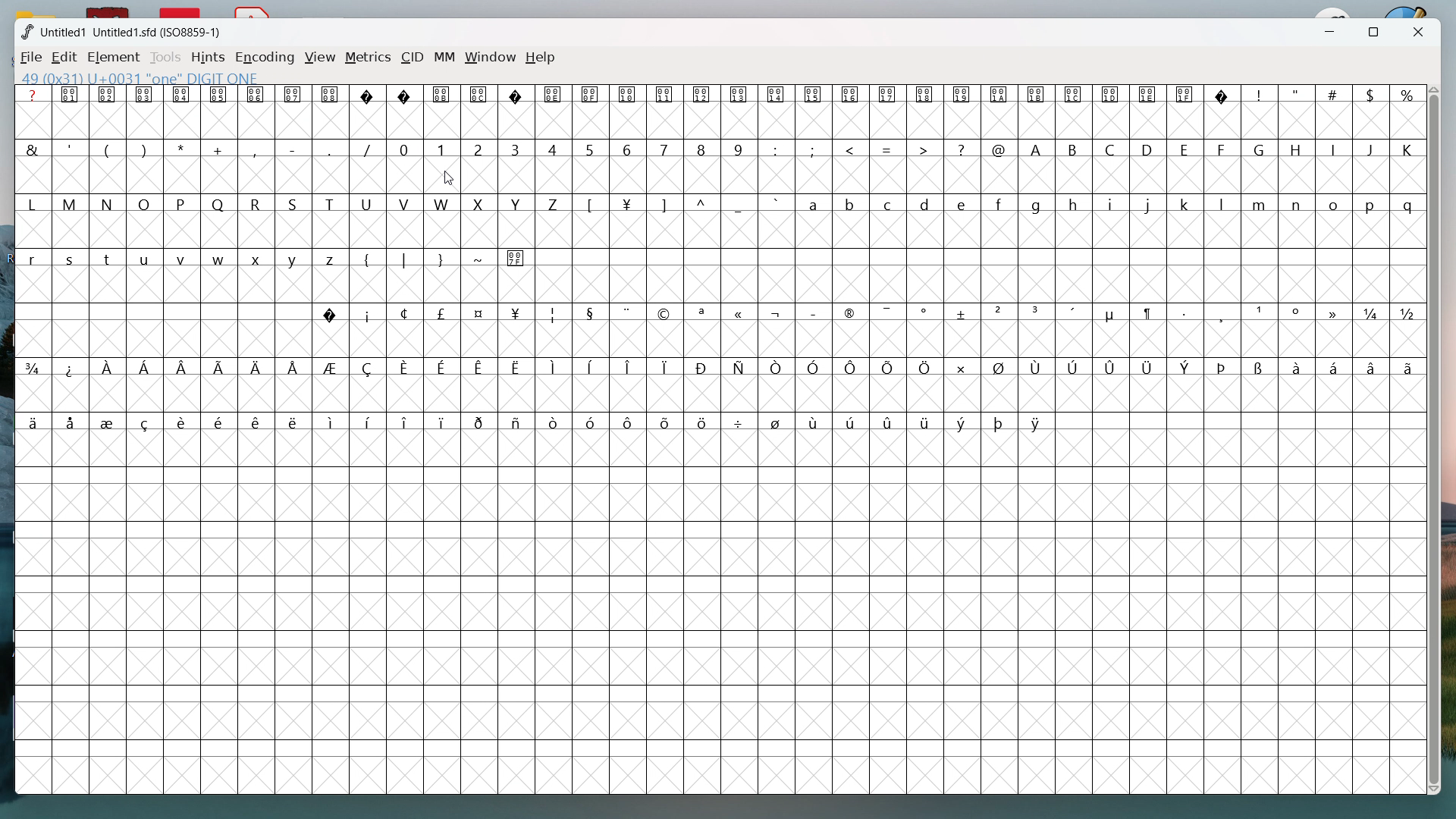 The width and height of the screenshot is (1456, 819). I want to click on o, so click(1335, 203).